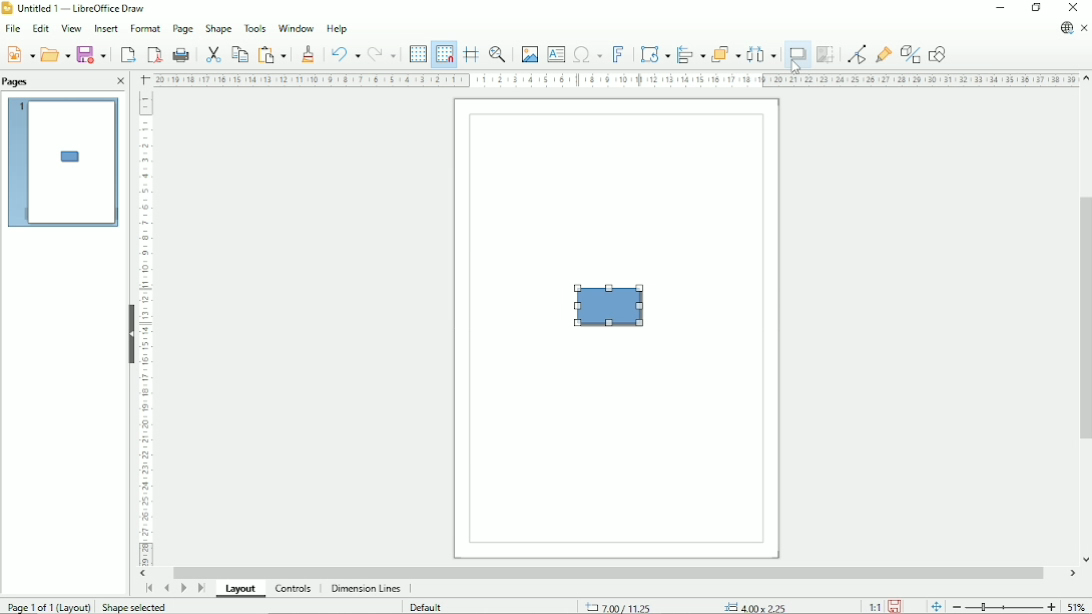  What do you see at coordinates (383, 54) in the screenshot?
I see `Redo` at bounding box center [383, 54].